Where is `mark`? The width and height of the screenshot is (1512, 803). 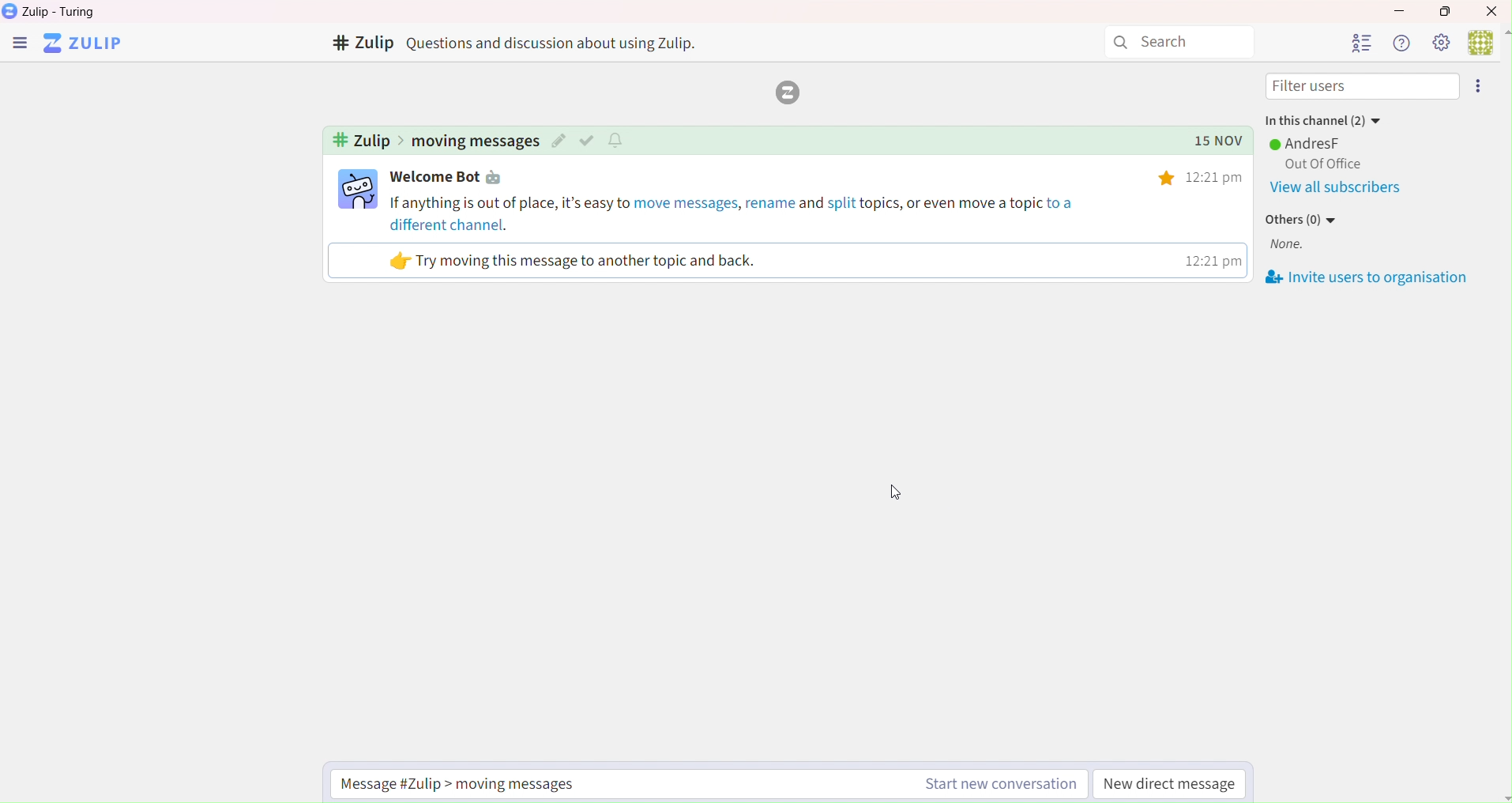
mark is located at coordinates (589, 140).